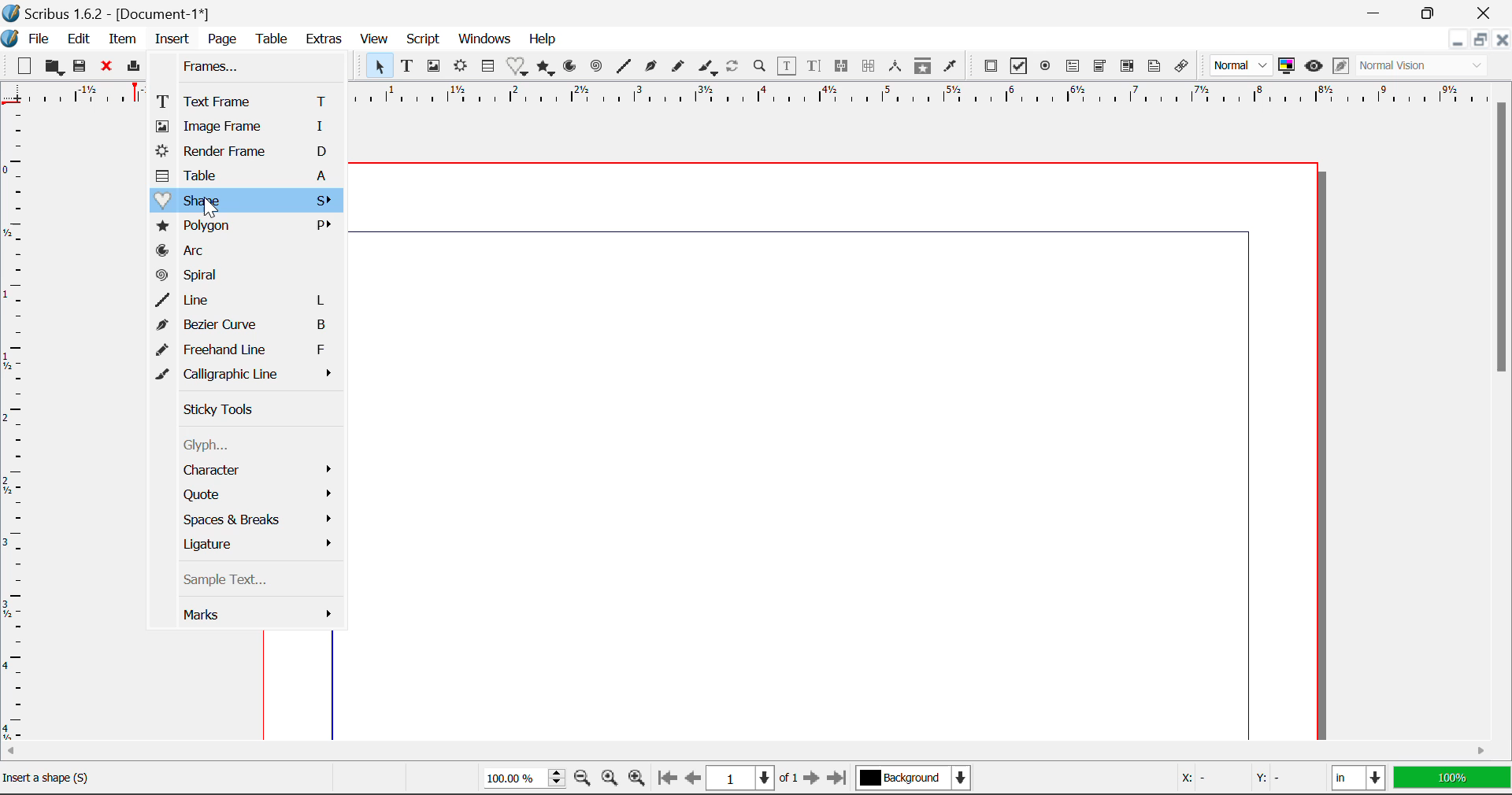  I want to click on Pdf Combo box, so click(1101, 68).